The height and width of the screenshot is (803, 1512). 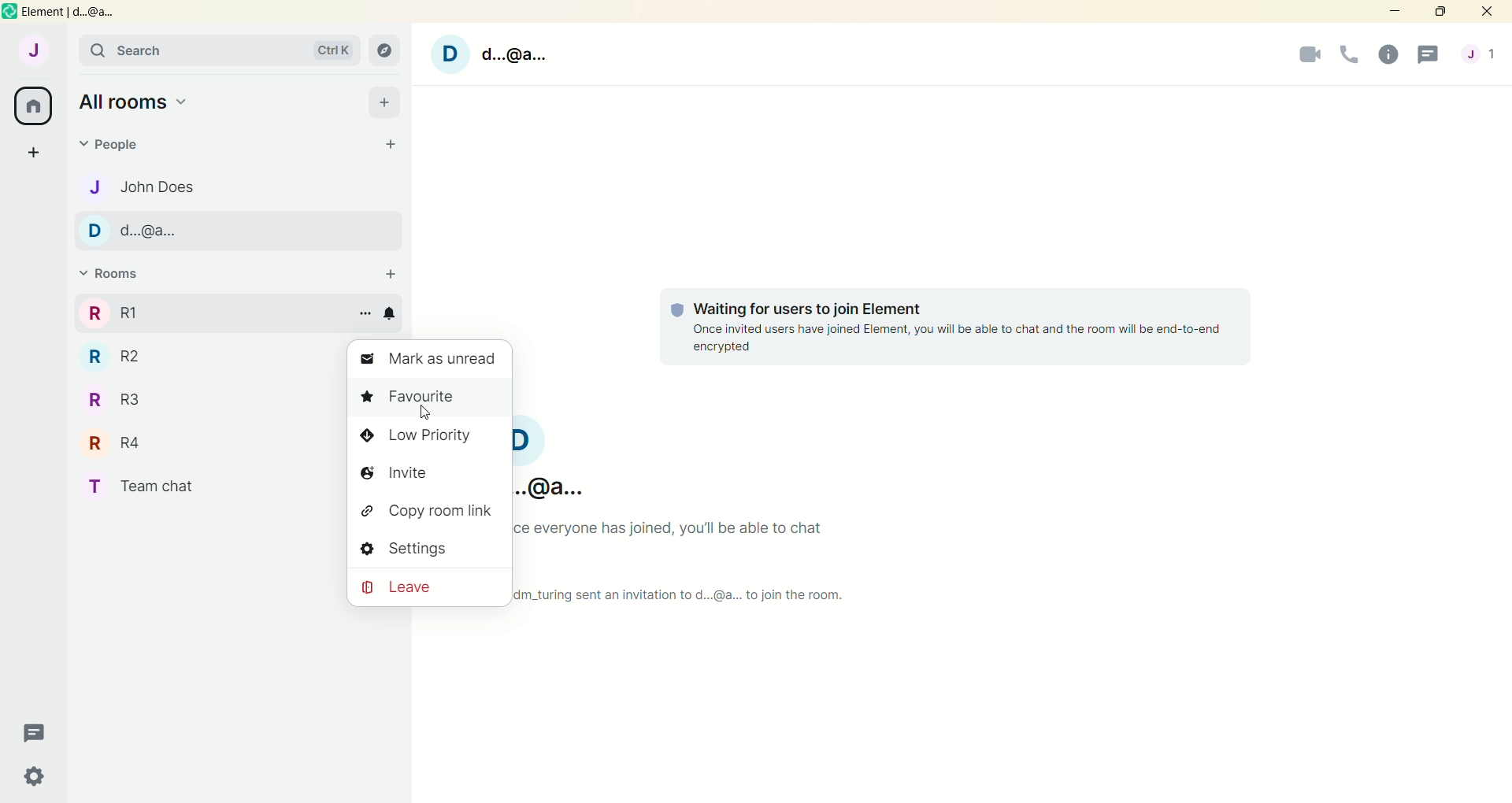 What do you see at coordinates (34, 730) in the screenshot?
I see `New Chat` at bounding box center [34, 730].